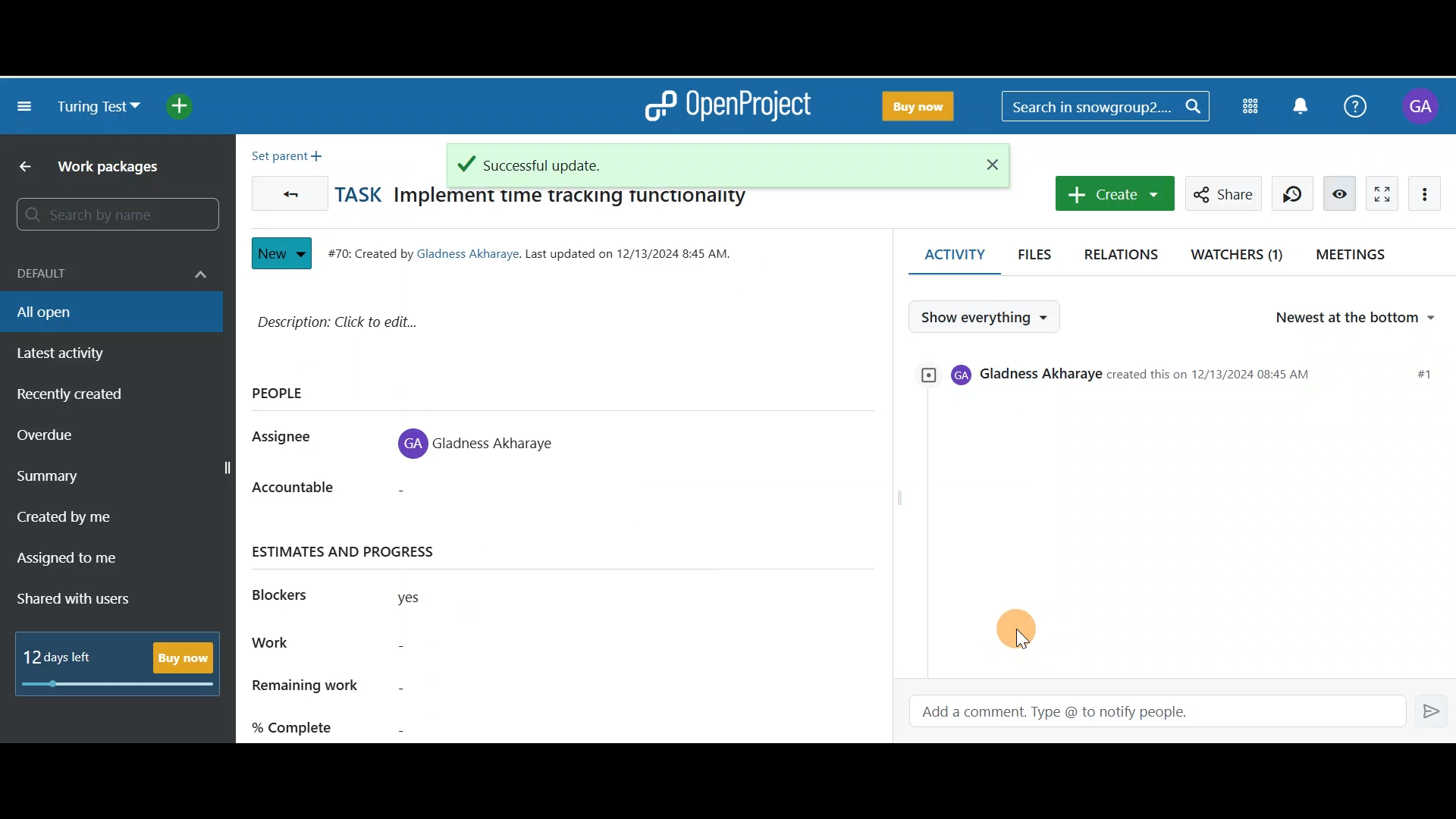  What do you see at coordinates (306, 493) in the screenshot?
I see `Accountable` at bounding box center [306, 493].